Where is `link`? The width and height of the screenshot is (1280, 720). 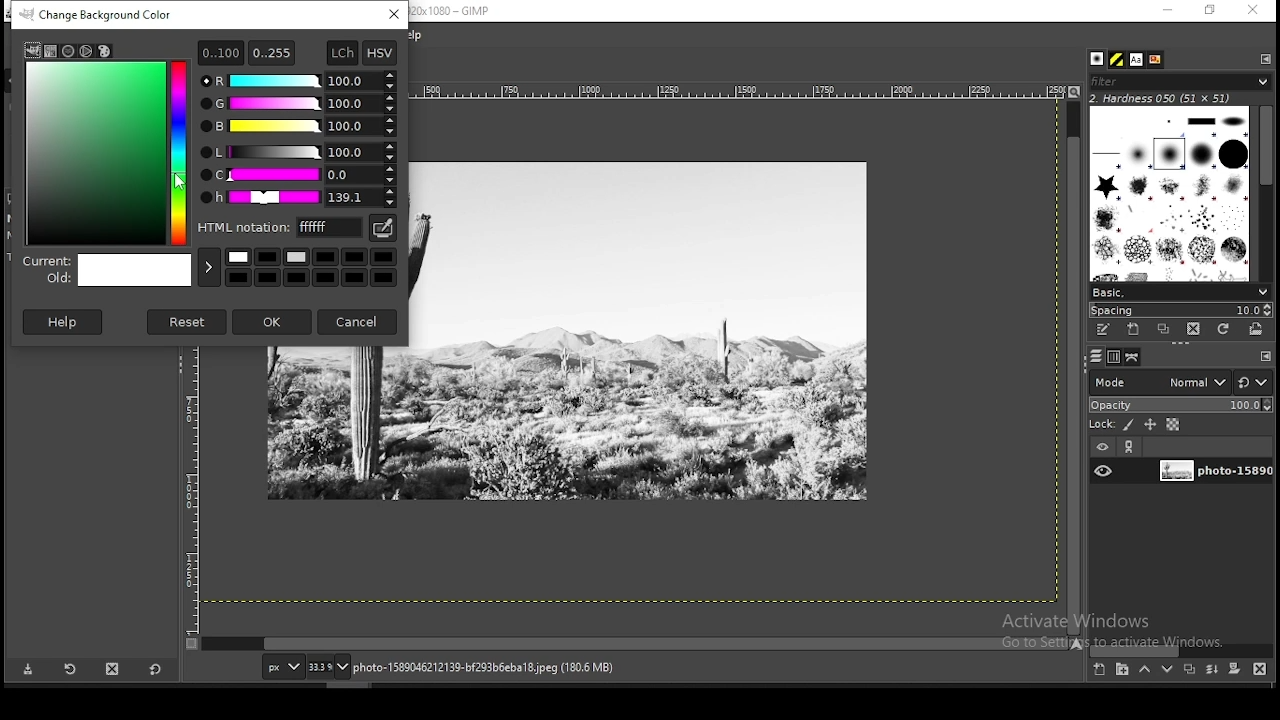 link is located at coordinates (1131, 447).